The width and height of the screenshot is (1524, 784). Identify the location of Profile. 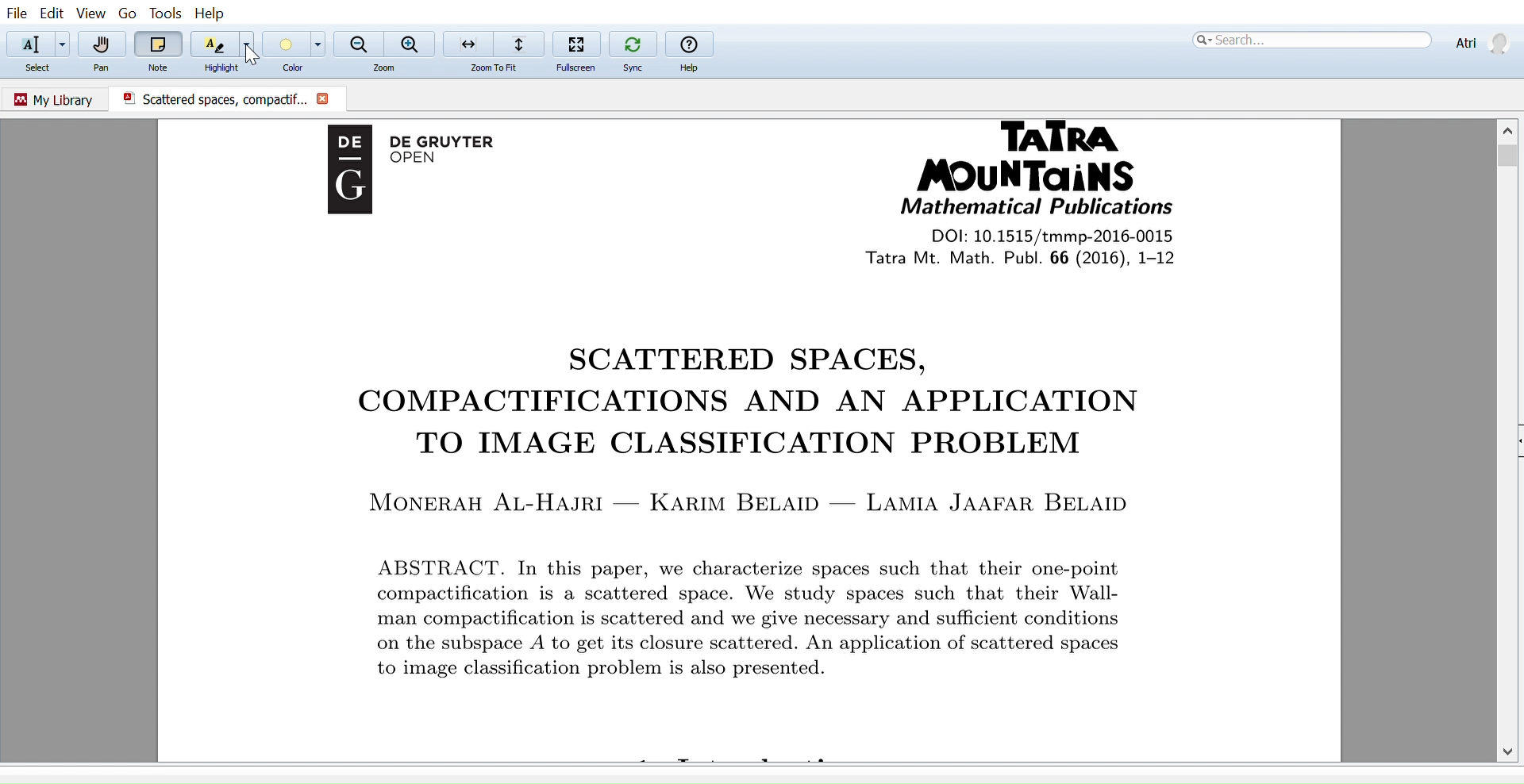
(1480, 41).